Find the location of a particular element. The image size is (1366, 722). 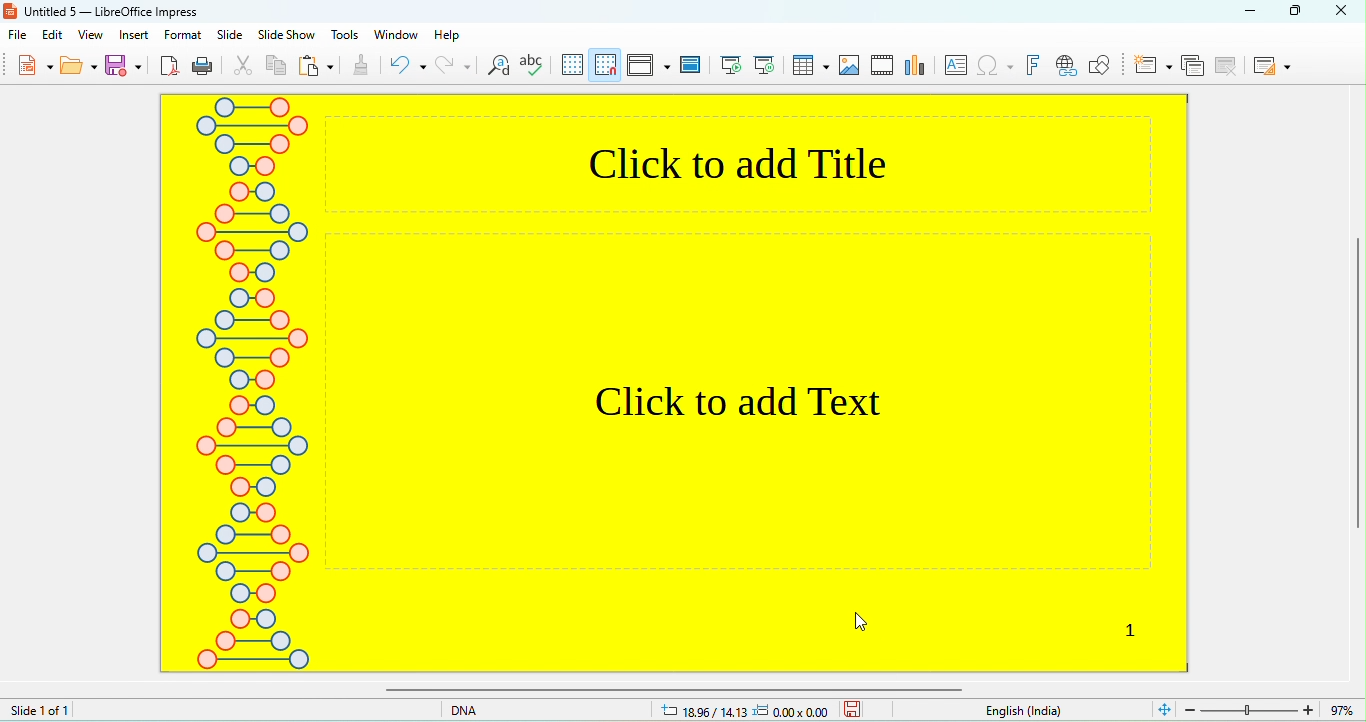

help is located at coordinates (448, 35).